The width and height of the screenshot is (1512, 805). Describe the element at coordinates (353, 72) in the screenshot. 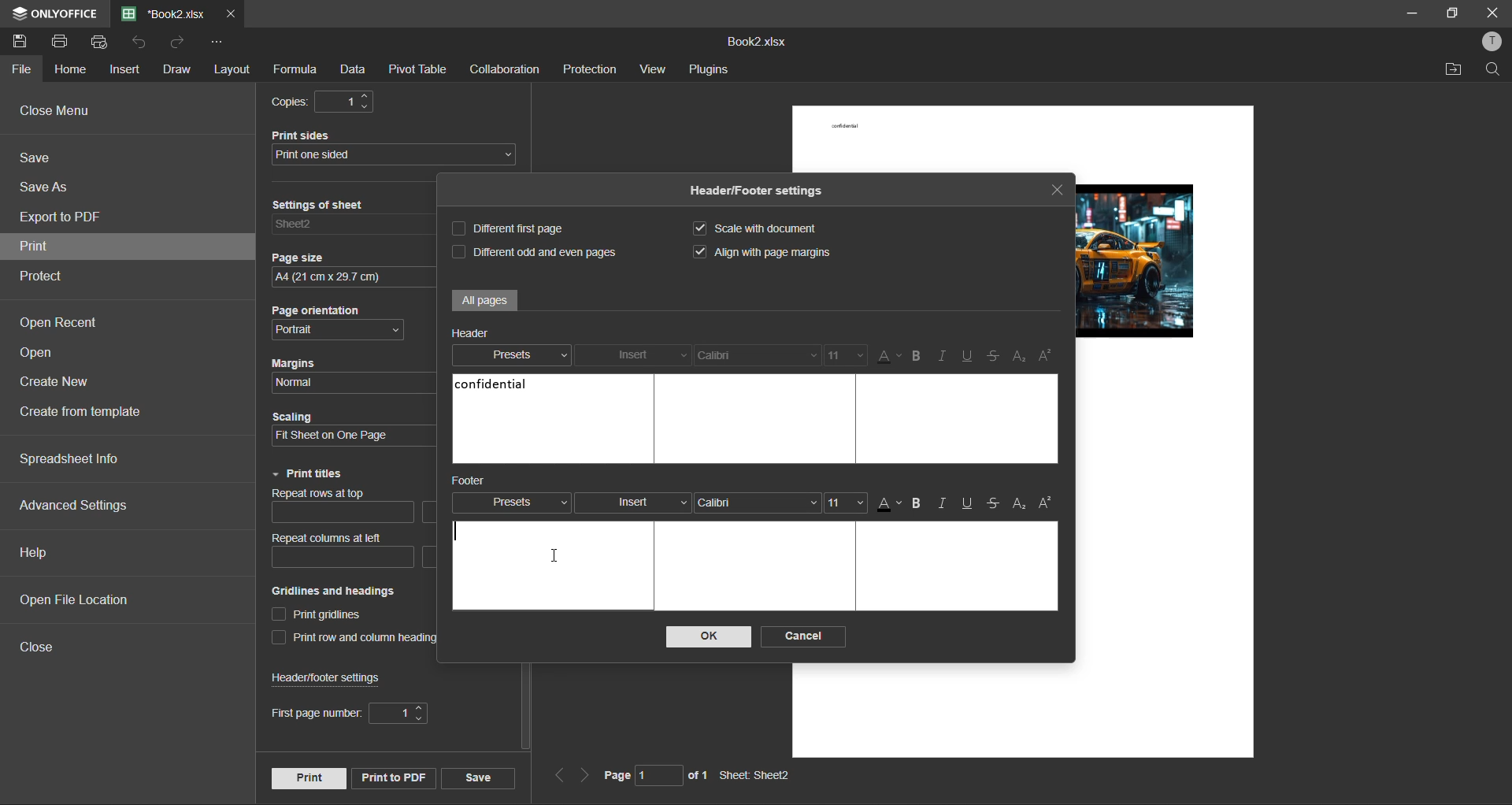

I see `data` at that location.